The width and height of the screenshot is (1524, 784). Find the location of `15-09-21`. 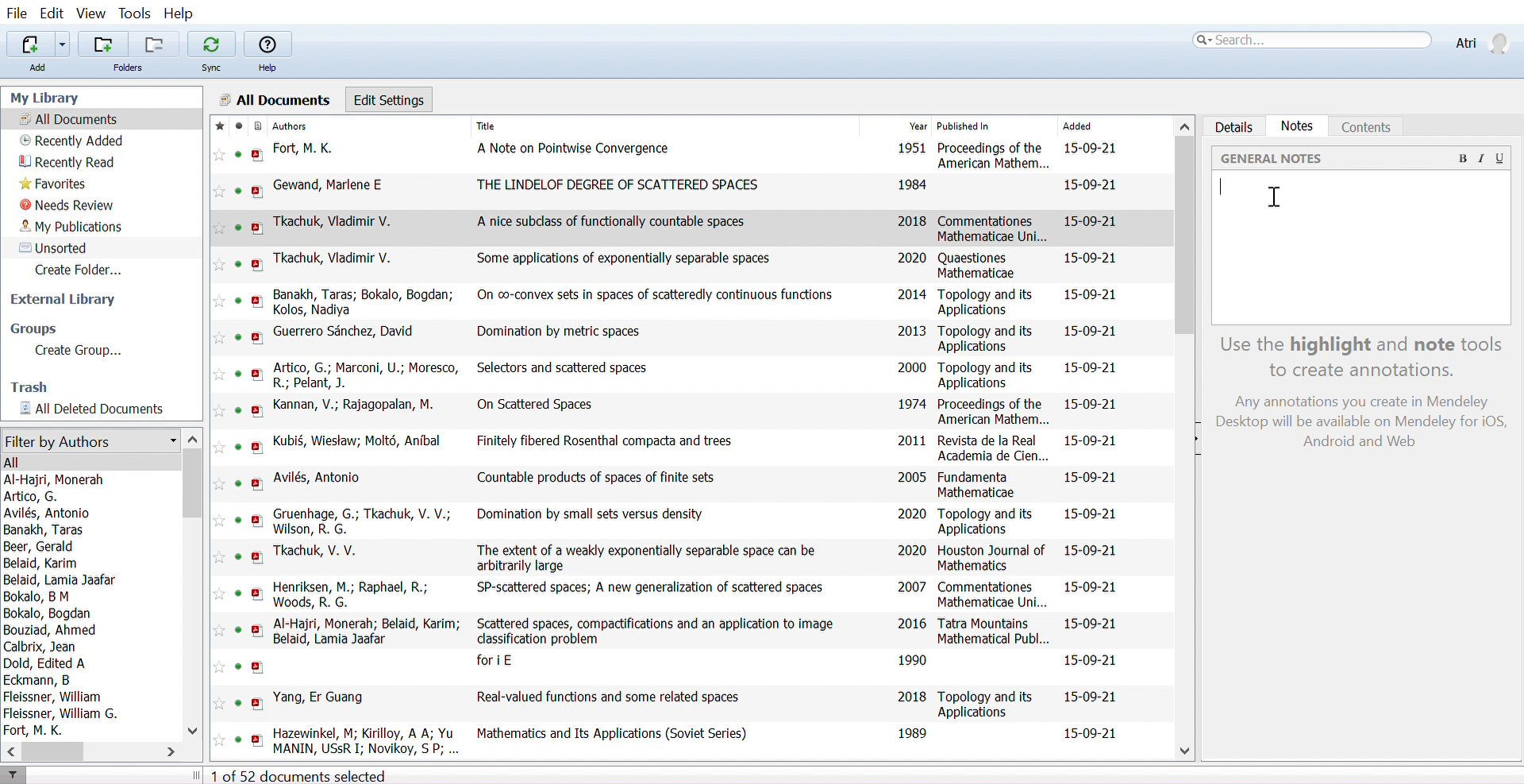

15-09-21 is located at coordinates (1092, 440).